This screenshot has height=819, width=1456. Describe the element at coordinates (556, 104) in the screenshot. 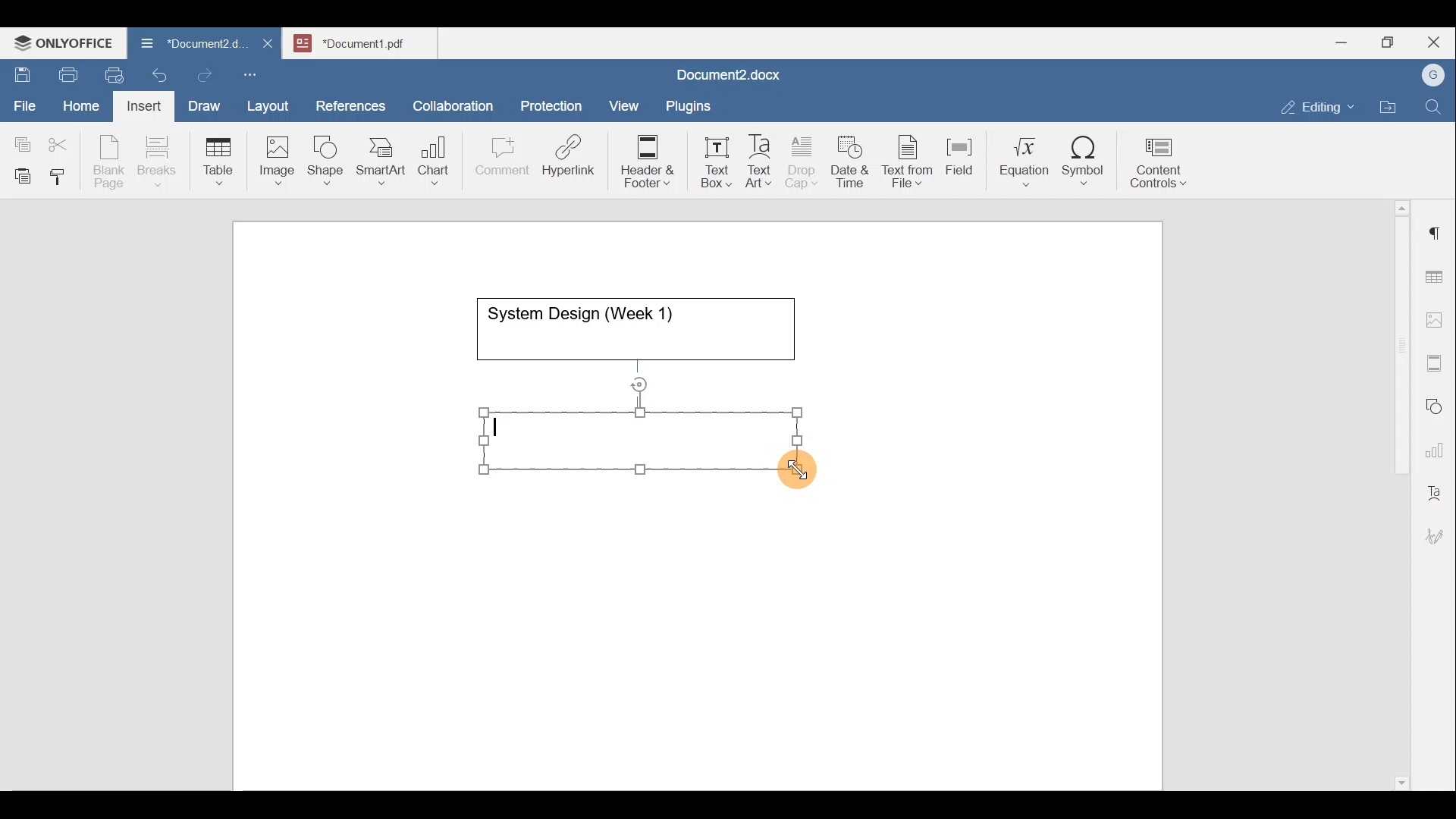

I see `Protection` at that location.